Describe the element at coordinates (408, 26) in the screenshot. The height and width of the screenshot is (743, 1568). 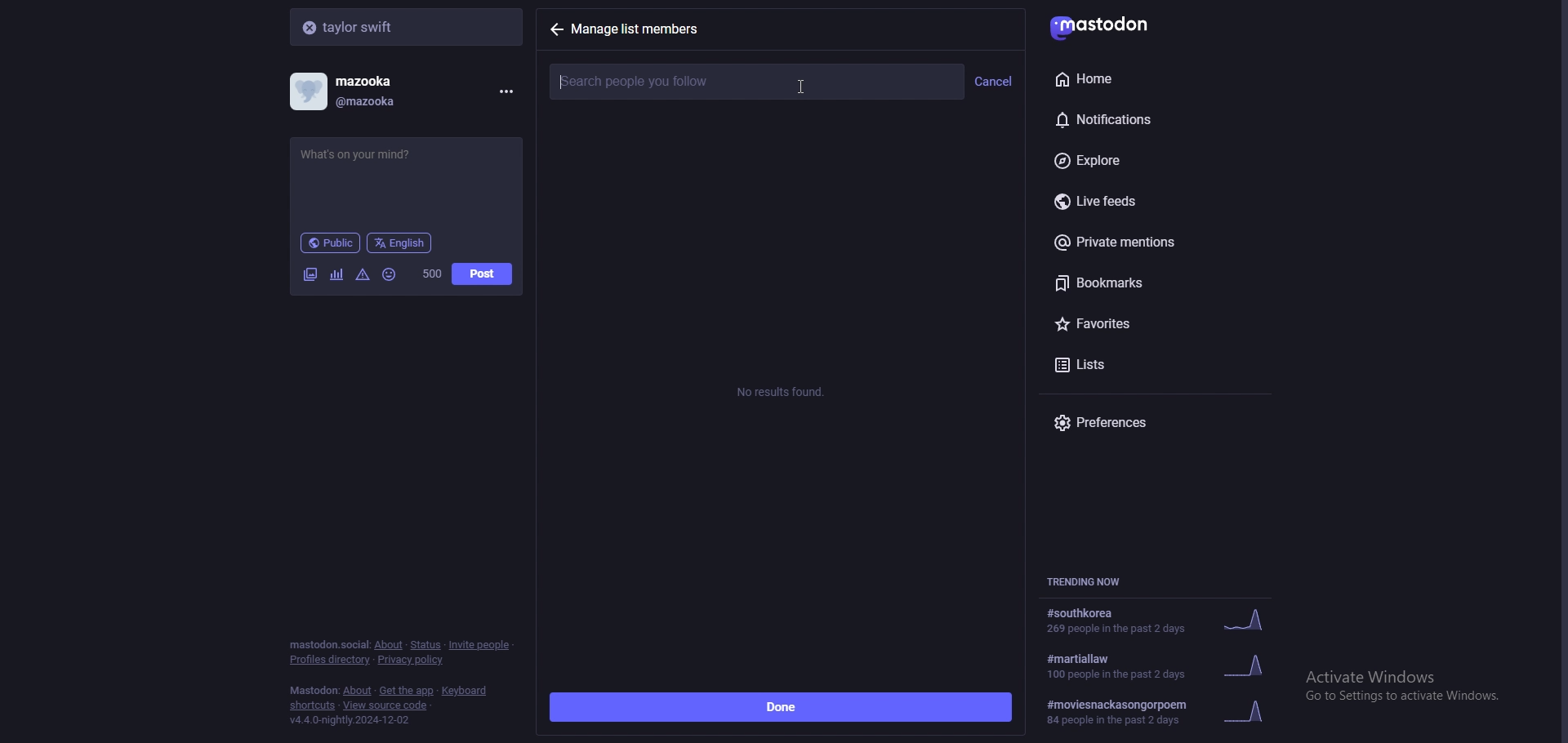
I see `search bar` at that location.